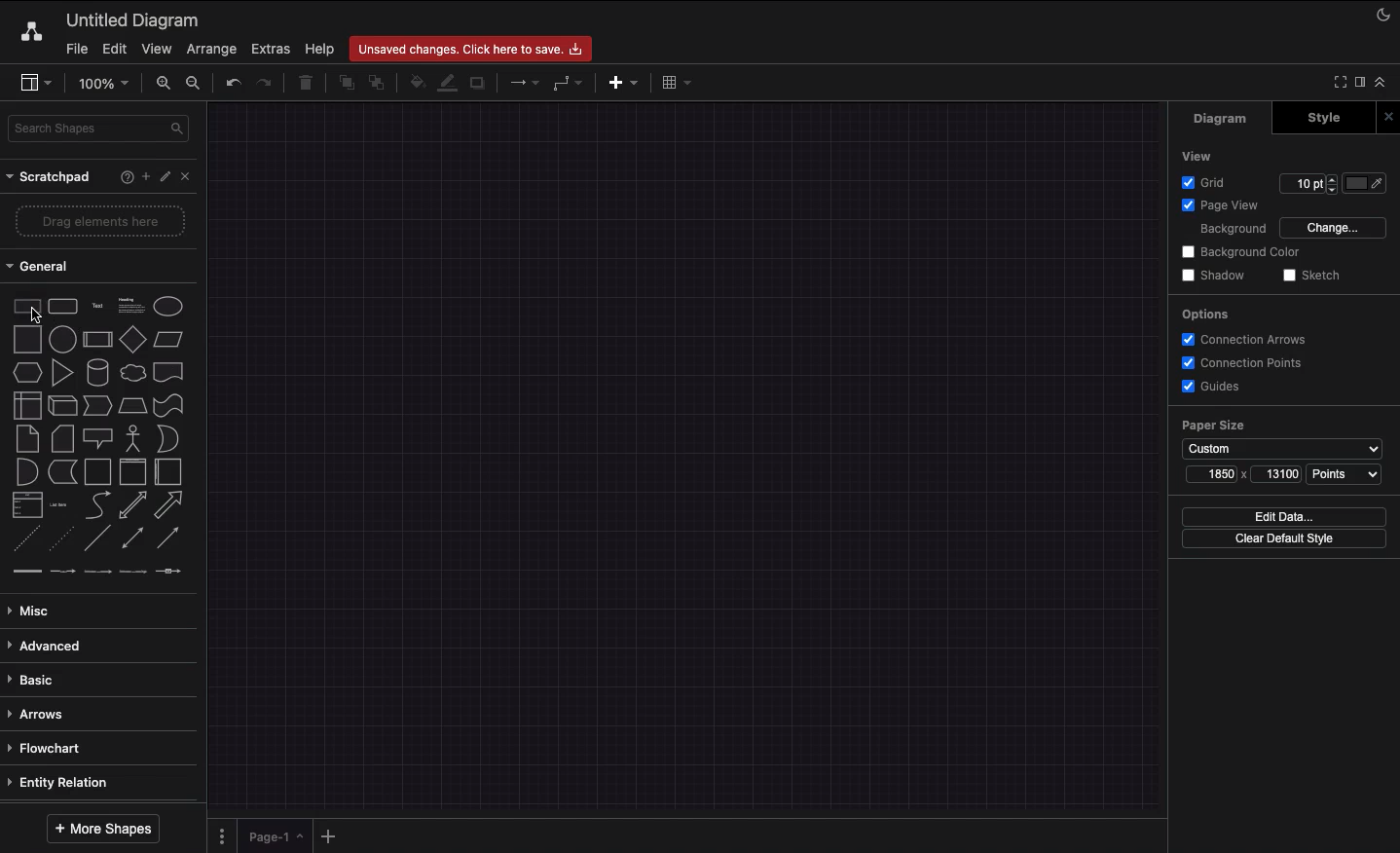  I want to click on Grid, so click(1205, 181).